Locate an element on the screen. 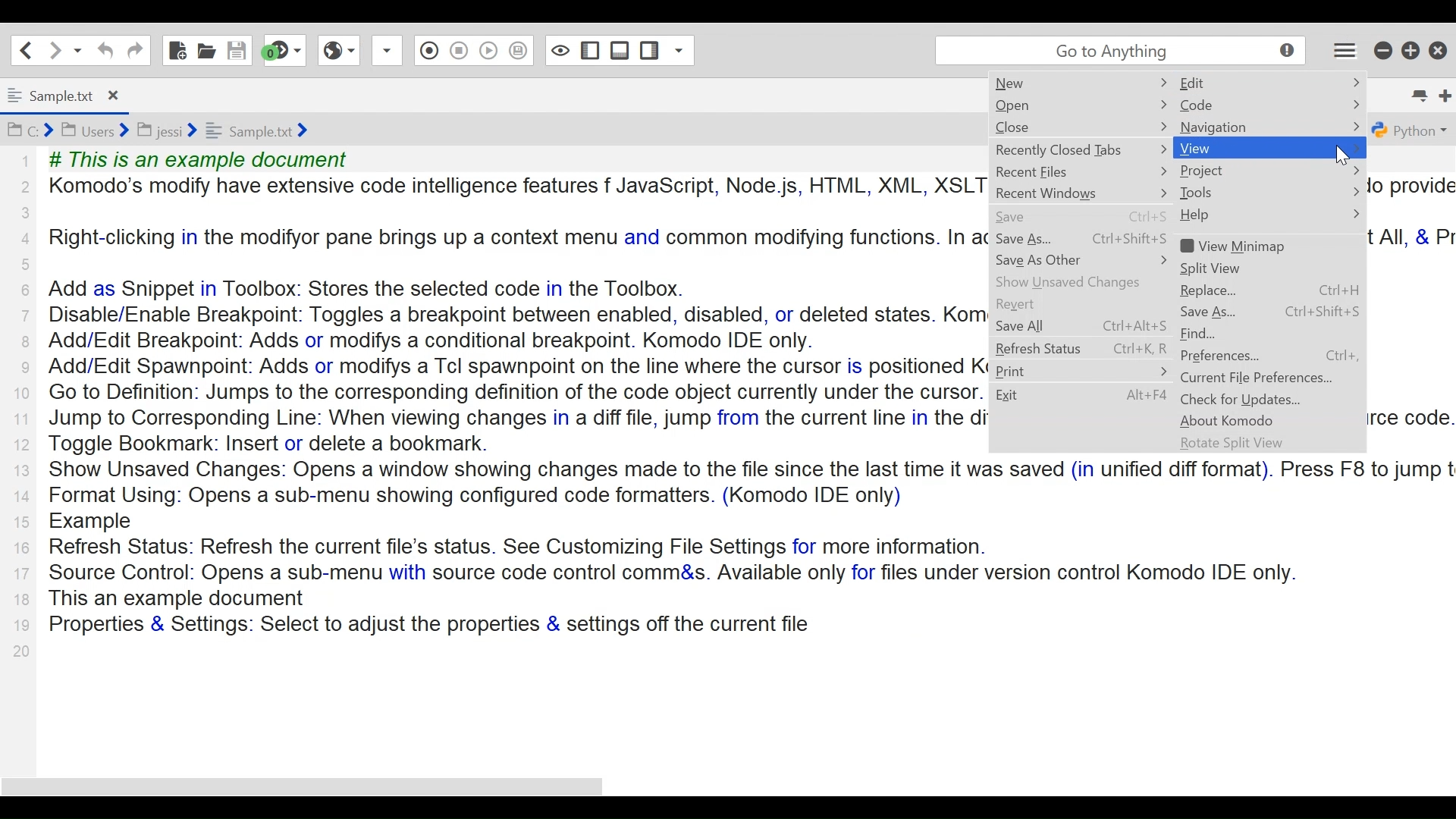 This screenshot has width=1456, height=819. Open is located at coordinates (1028, 106).